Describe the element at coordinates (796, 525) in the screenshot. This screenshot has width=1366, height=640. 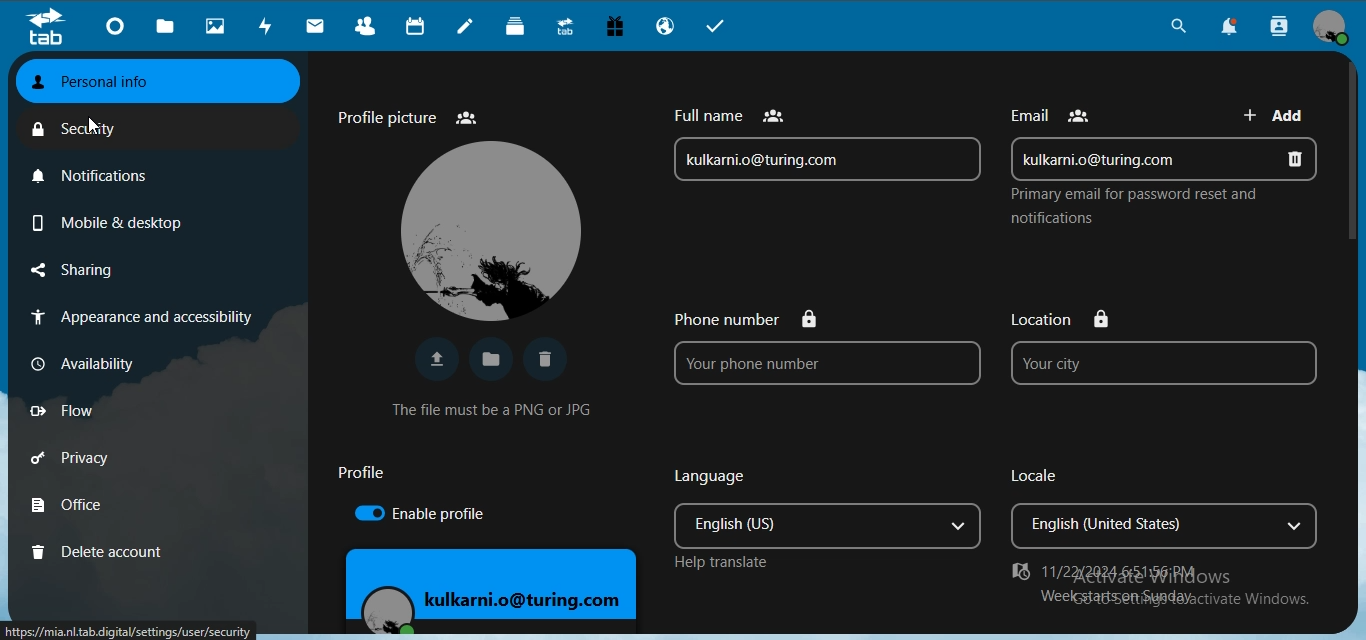
I see `english (US)` at that location.